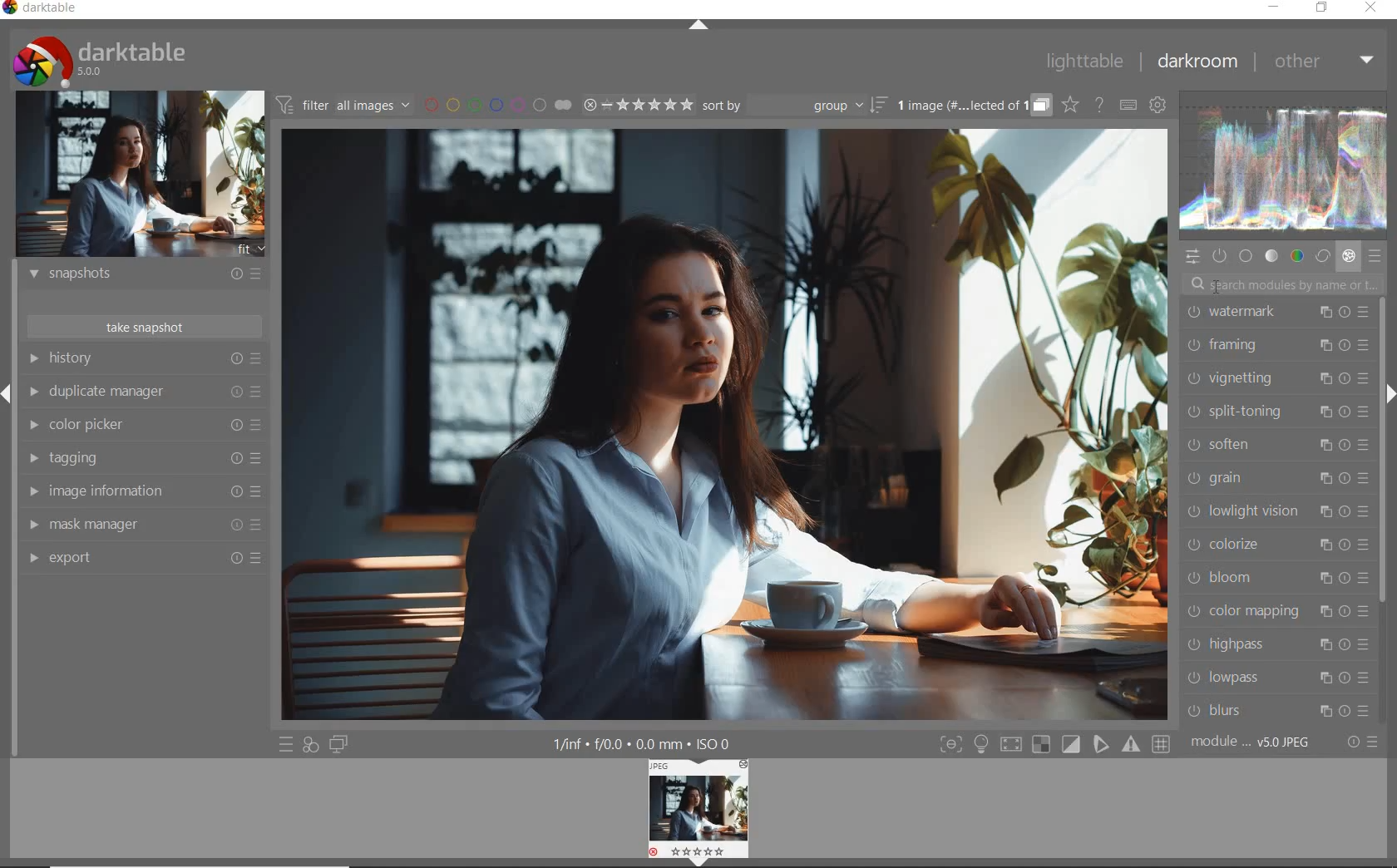 The height and width of the screenshot is (868, 1397). I want to click on waveform, so click(1283, 166).